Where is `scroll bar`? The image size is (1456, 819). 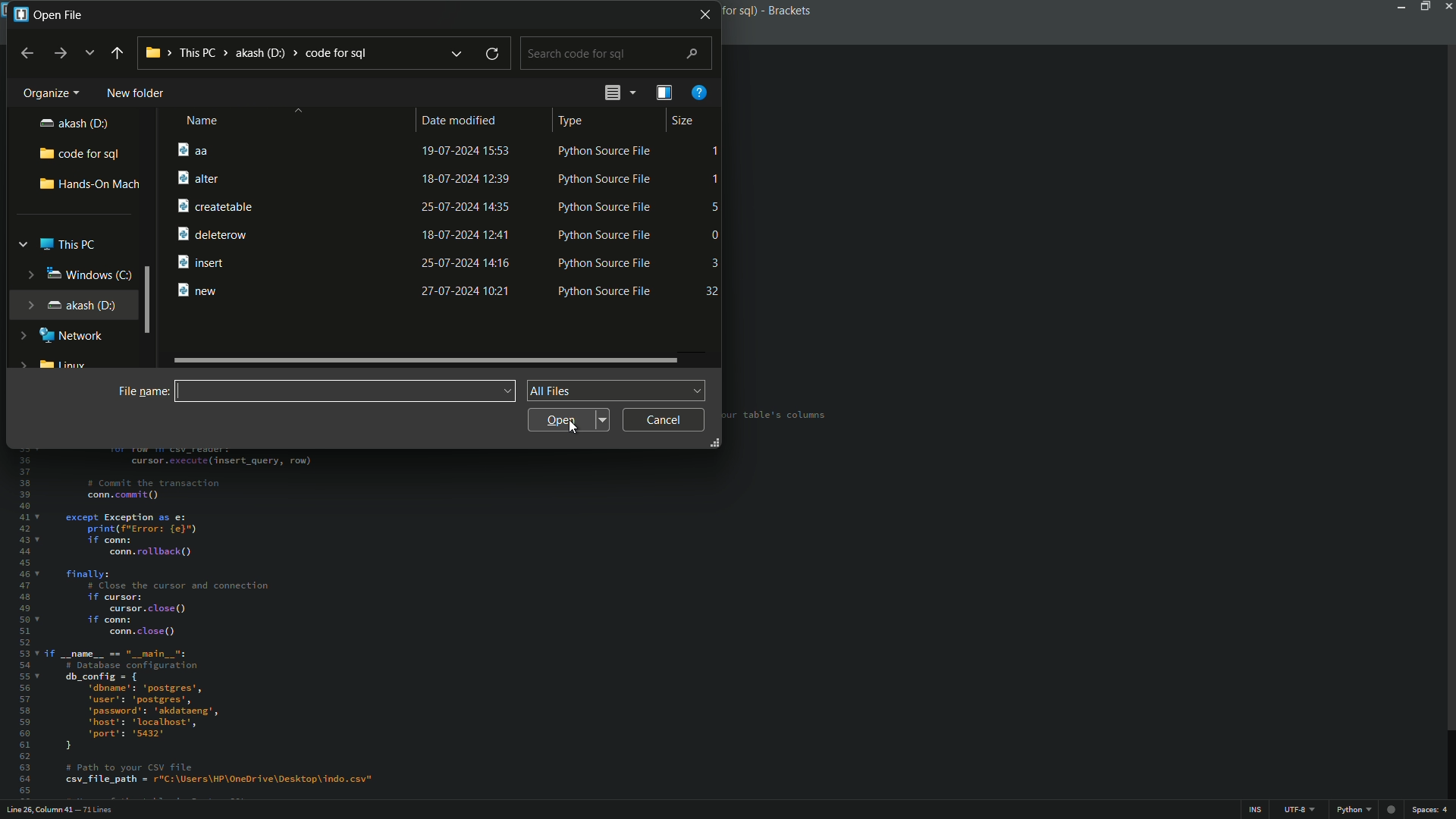 scroll bar is located at coordinates (428, 359).